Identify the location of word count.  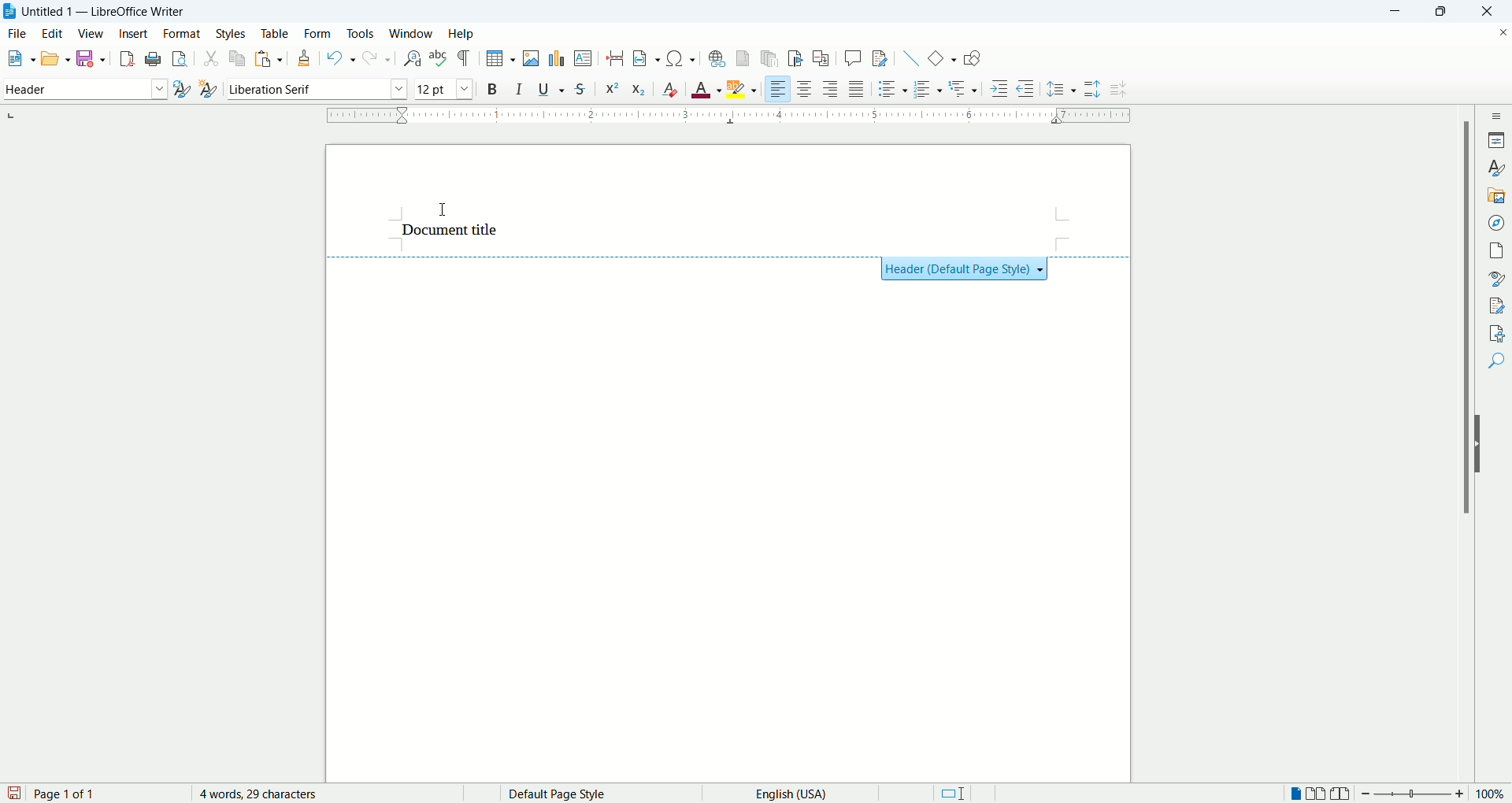
(323, 794).